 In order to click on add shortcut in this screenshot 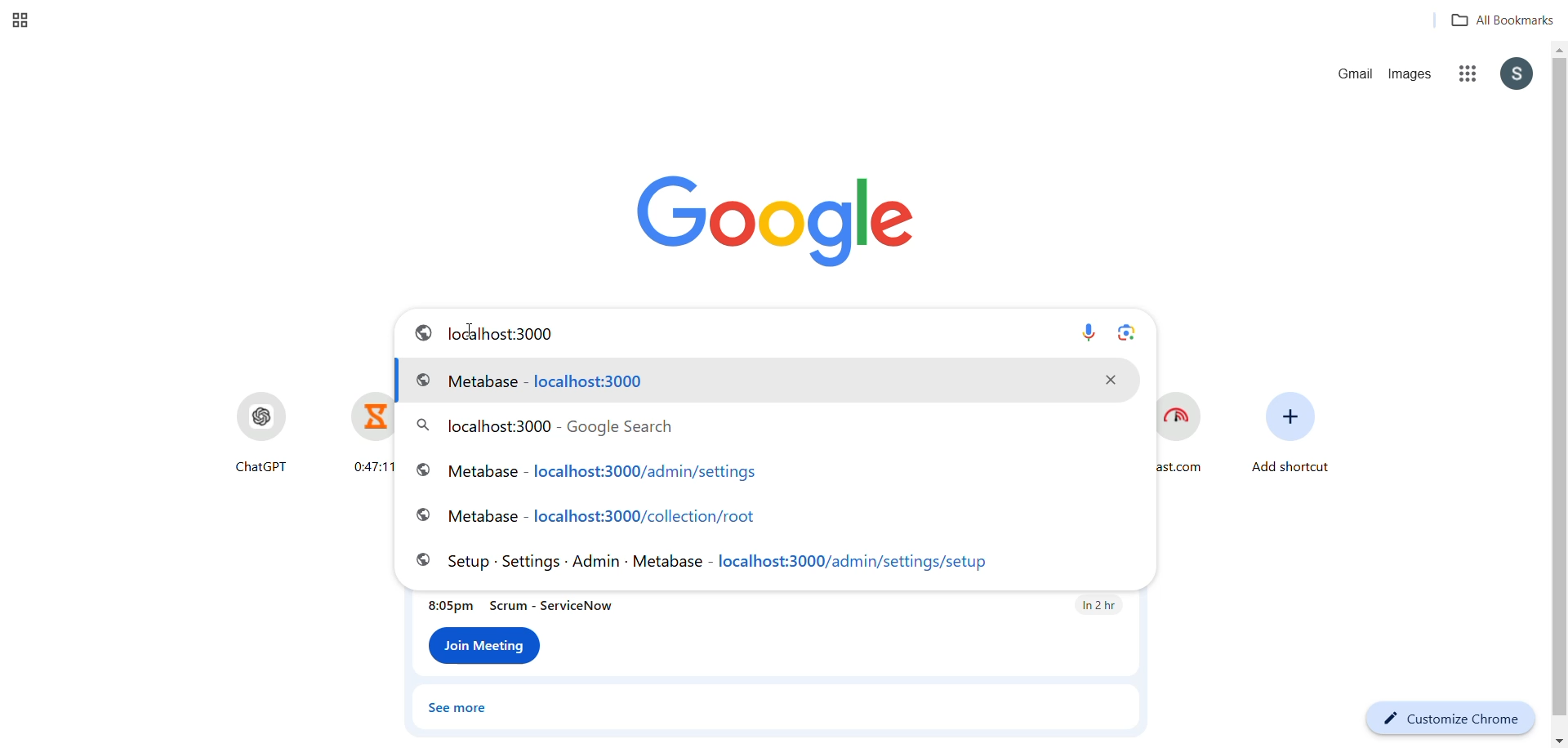, I will do `click(1290, 439)`.